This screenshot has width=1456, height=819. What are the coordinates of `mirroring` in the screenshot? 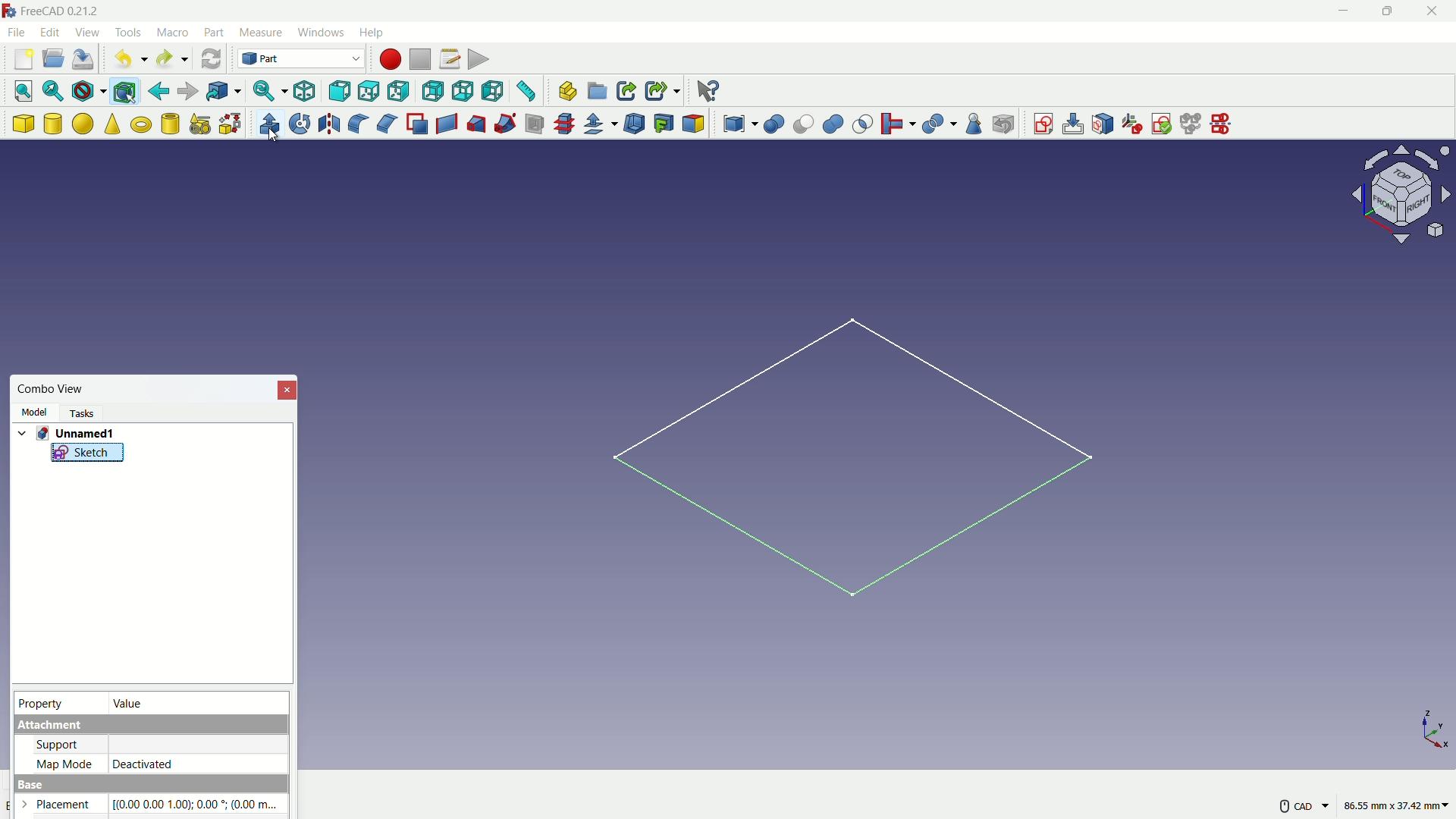 It's located at (330, 124).